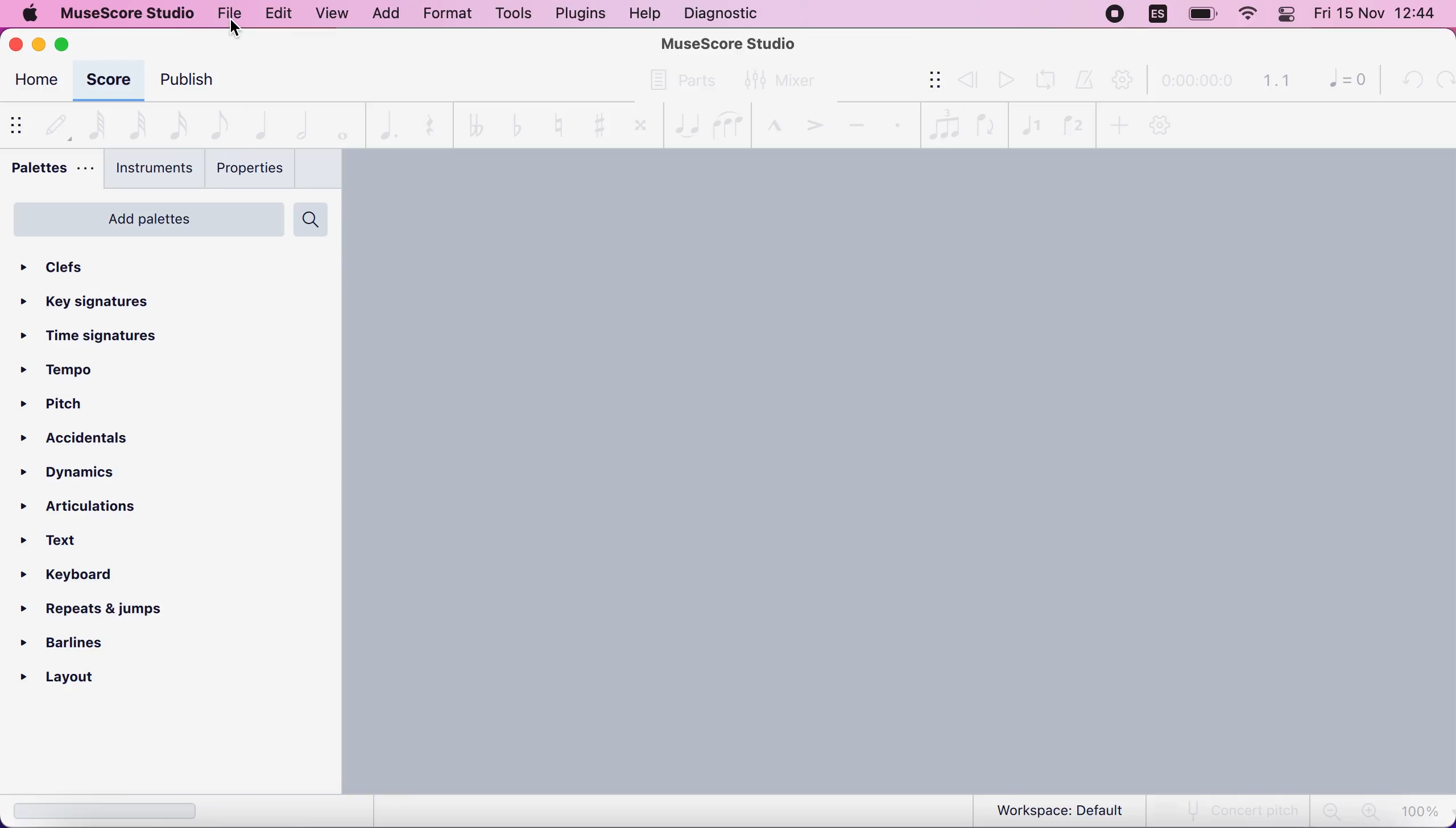  I want to click on voice1, so click(1030, 123).